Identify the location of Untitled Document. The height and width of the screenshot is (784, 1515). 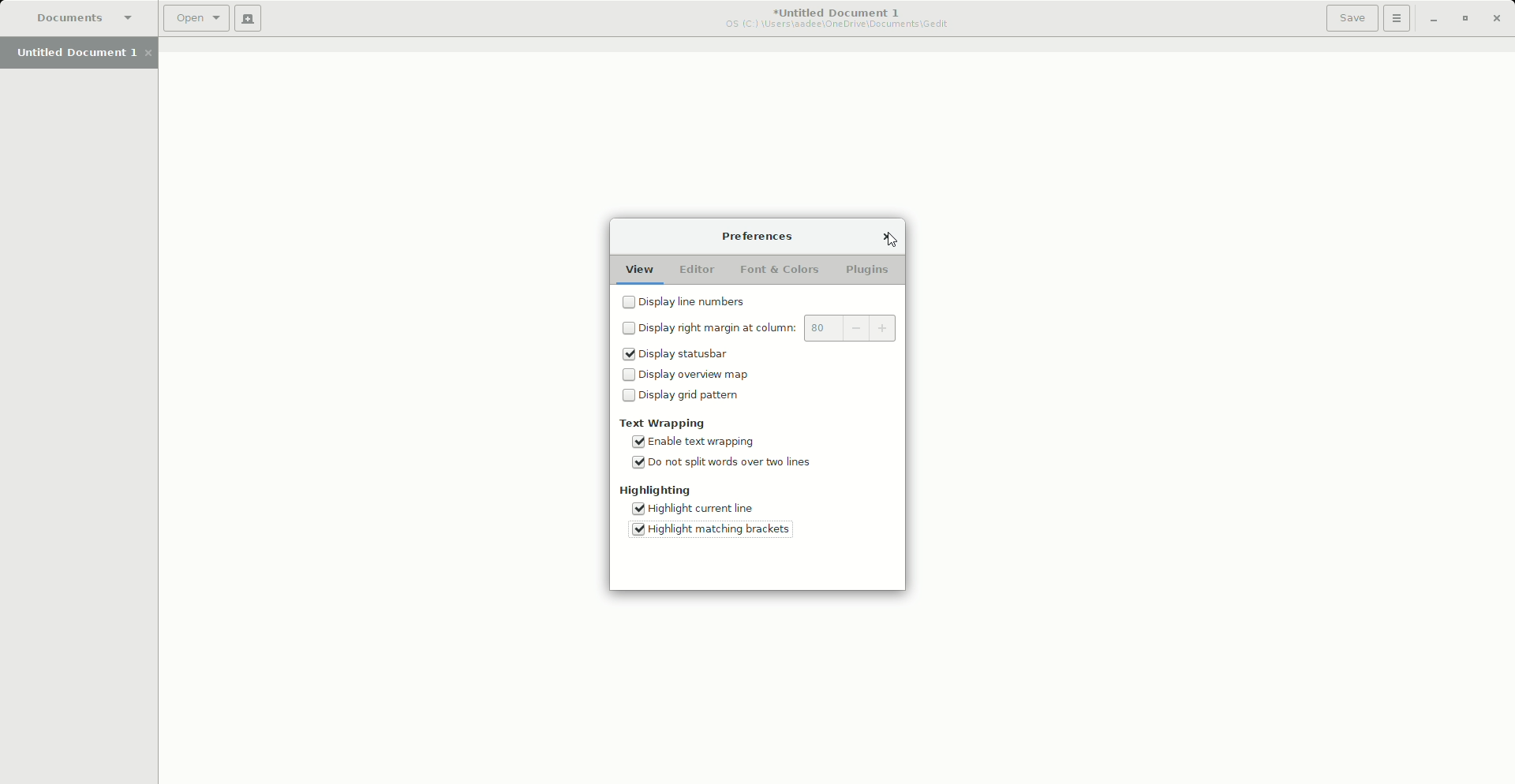
(829, 17).